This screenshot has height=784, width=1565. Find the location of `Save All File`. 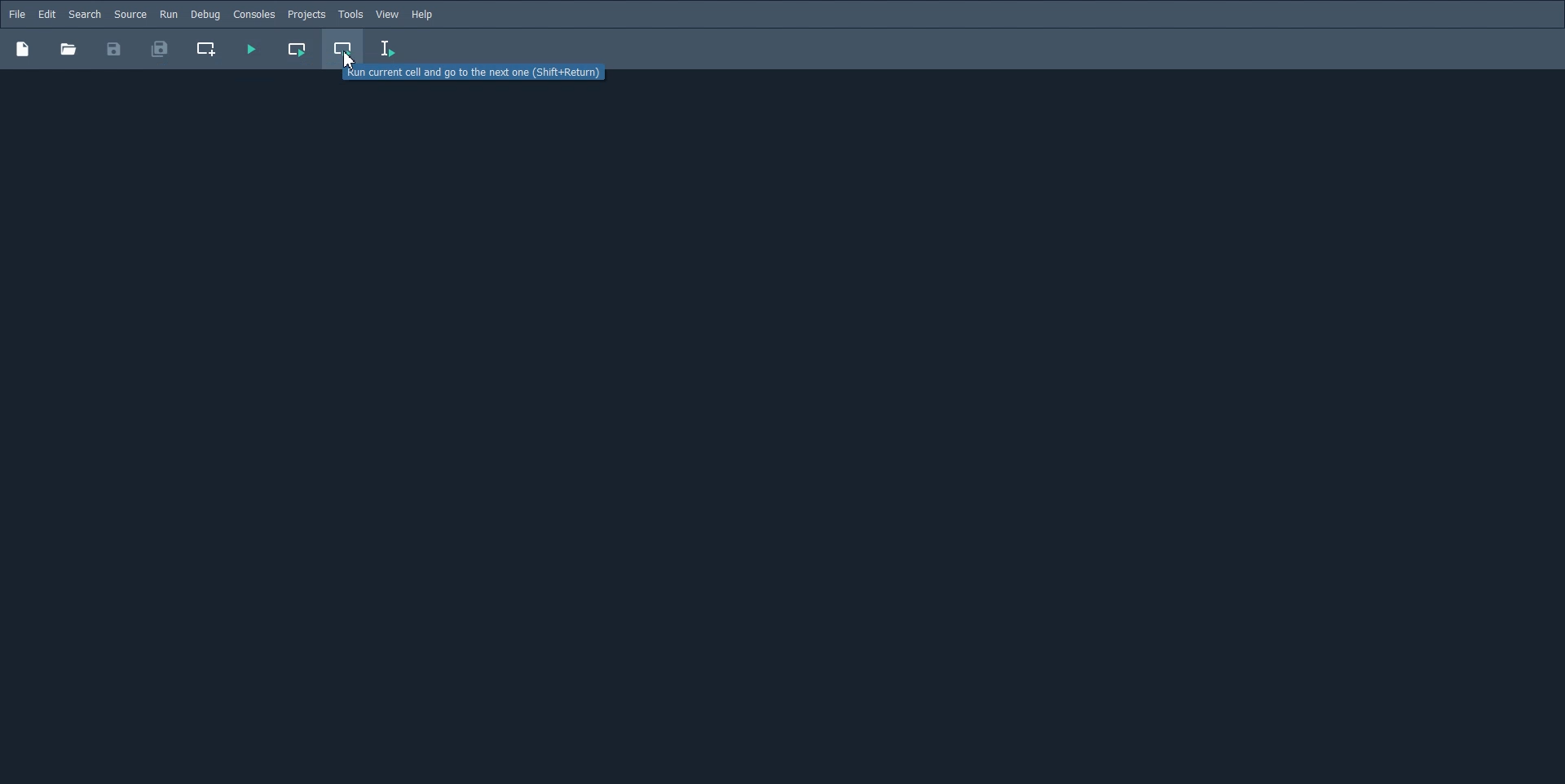

Save All File is located at coordinates (158, 49).